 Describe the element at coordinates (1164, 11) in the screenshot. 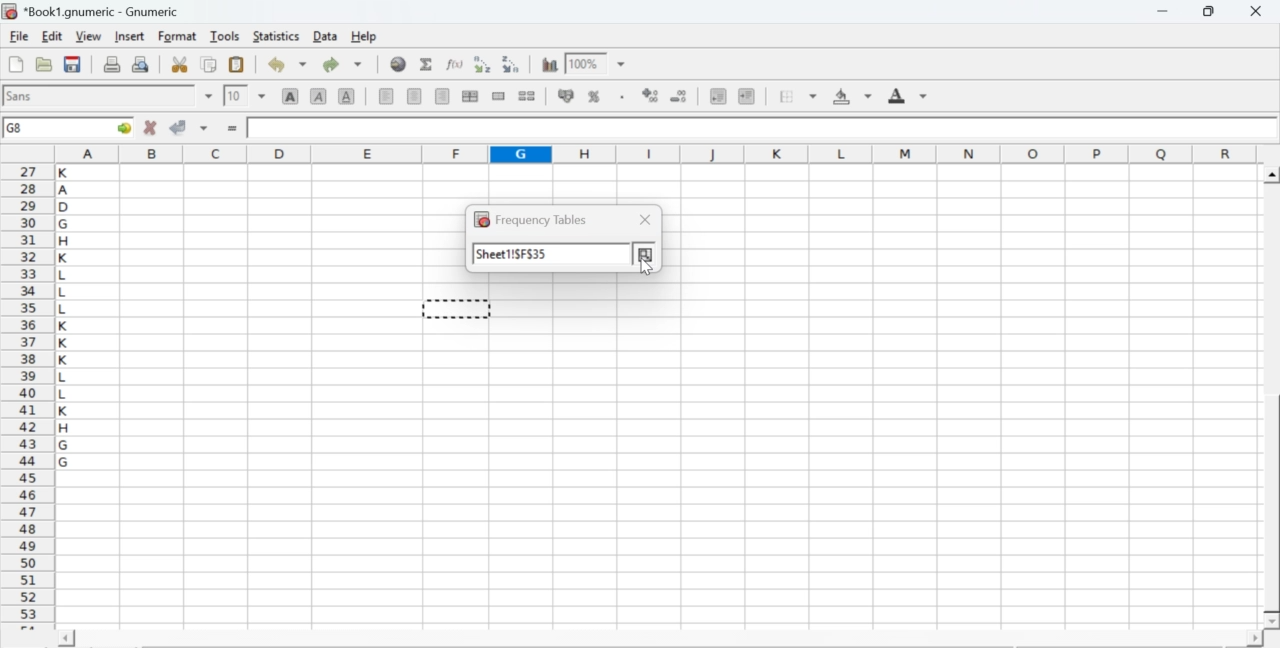

I see `minimize` at that location.